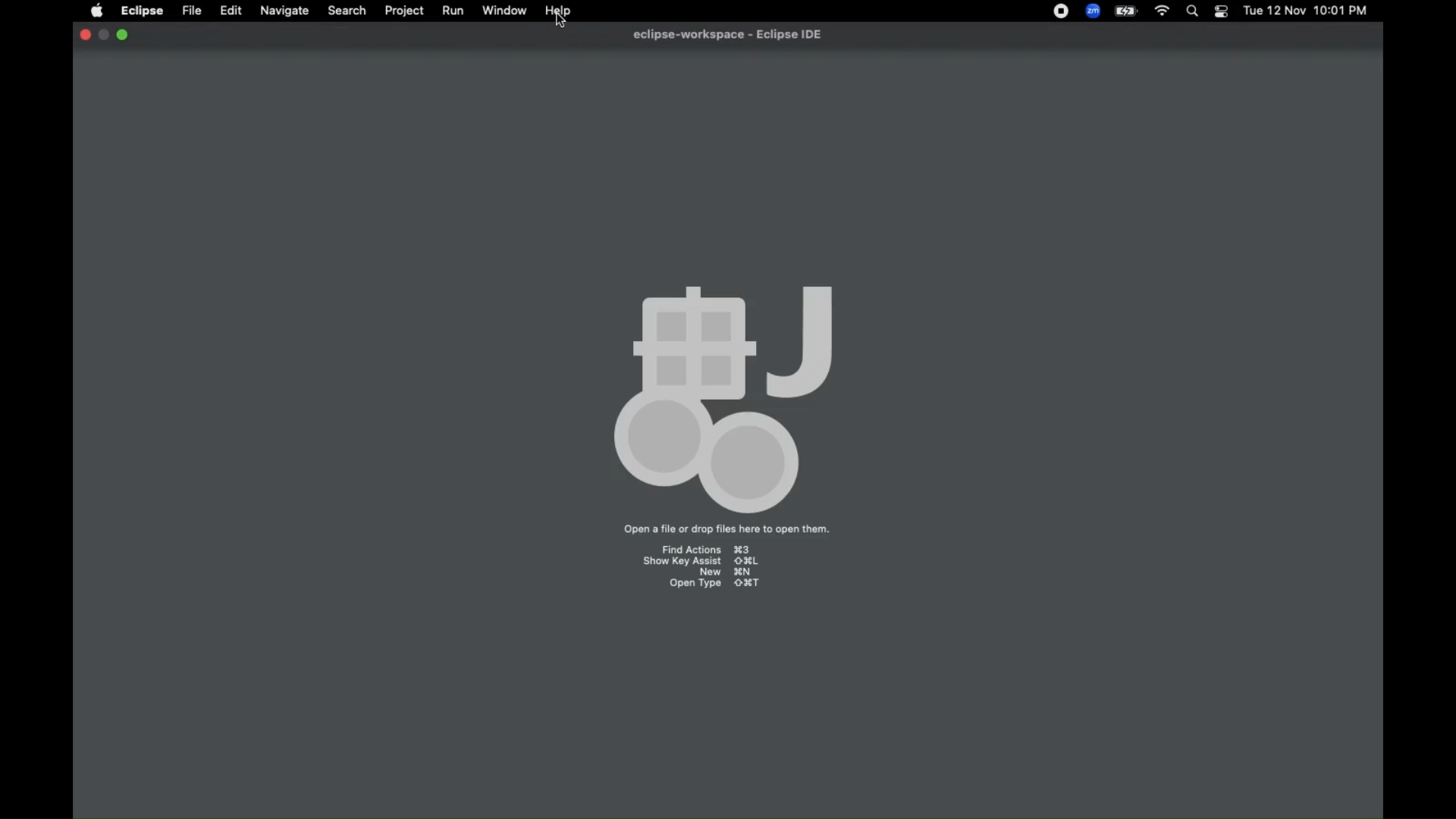 The image size is (1456, 819). What do you see at coordinates (506, 11) in the screenshot?
I see `Window` at bounding box center [506, 11].